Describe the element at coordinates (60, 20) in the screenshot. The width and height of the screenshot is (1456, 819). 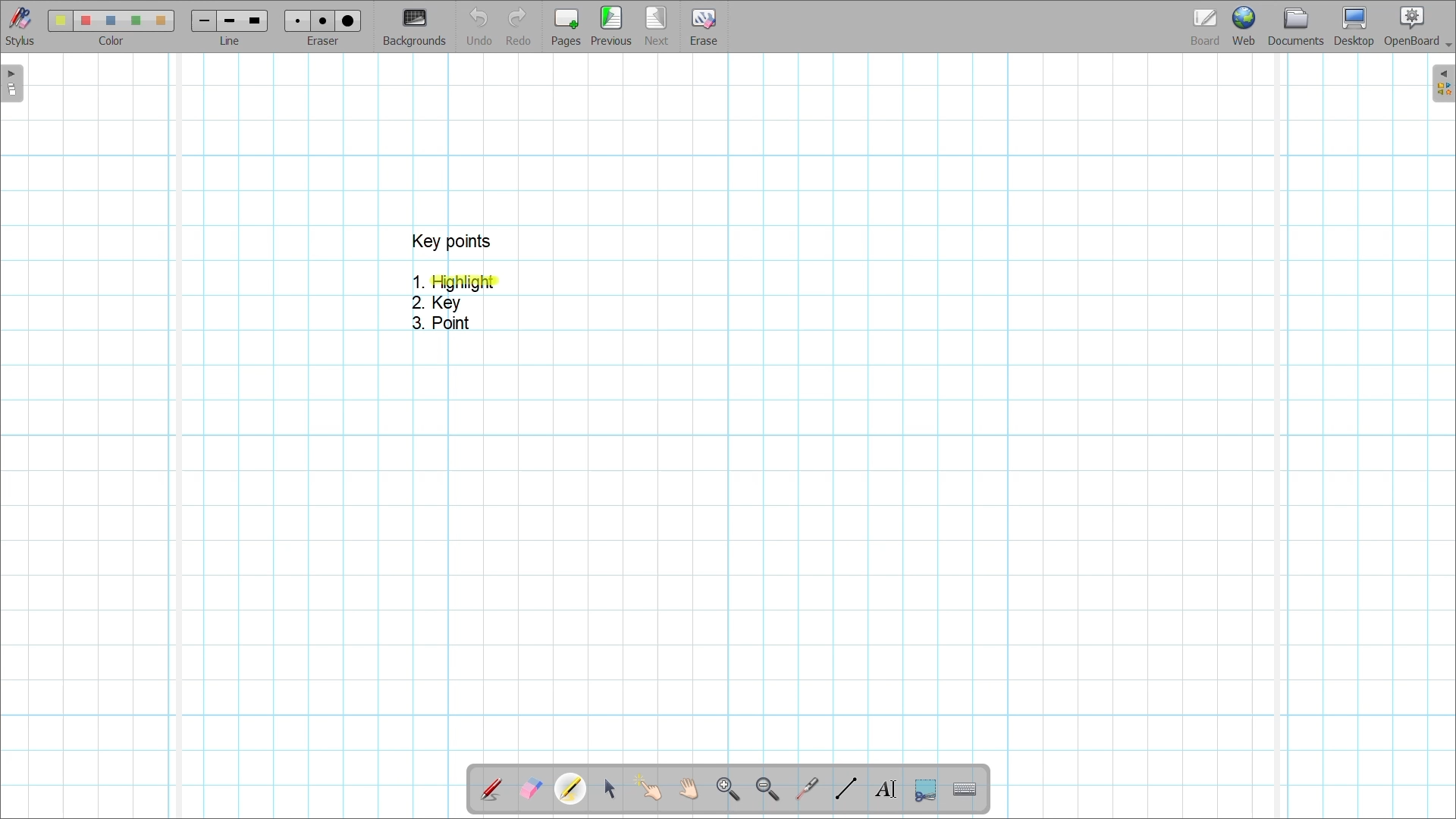
I see `Color 1` at that location.